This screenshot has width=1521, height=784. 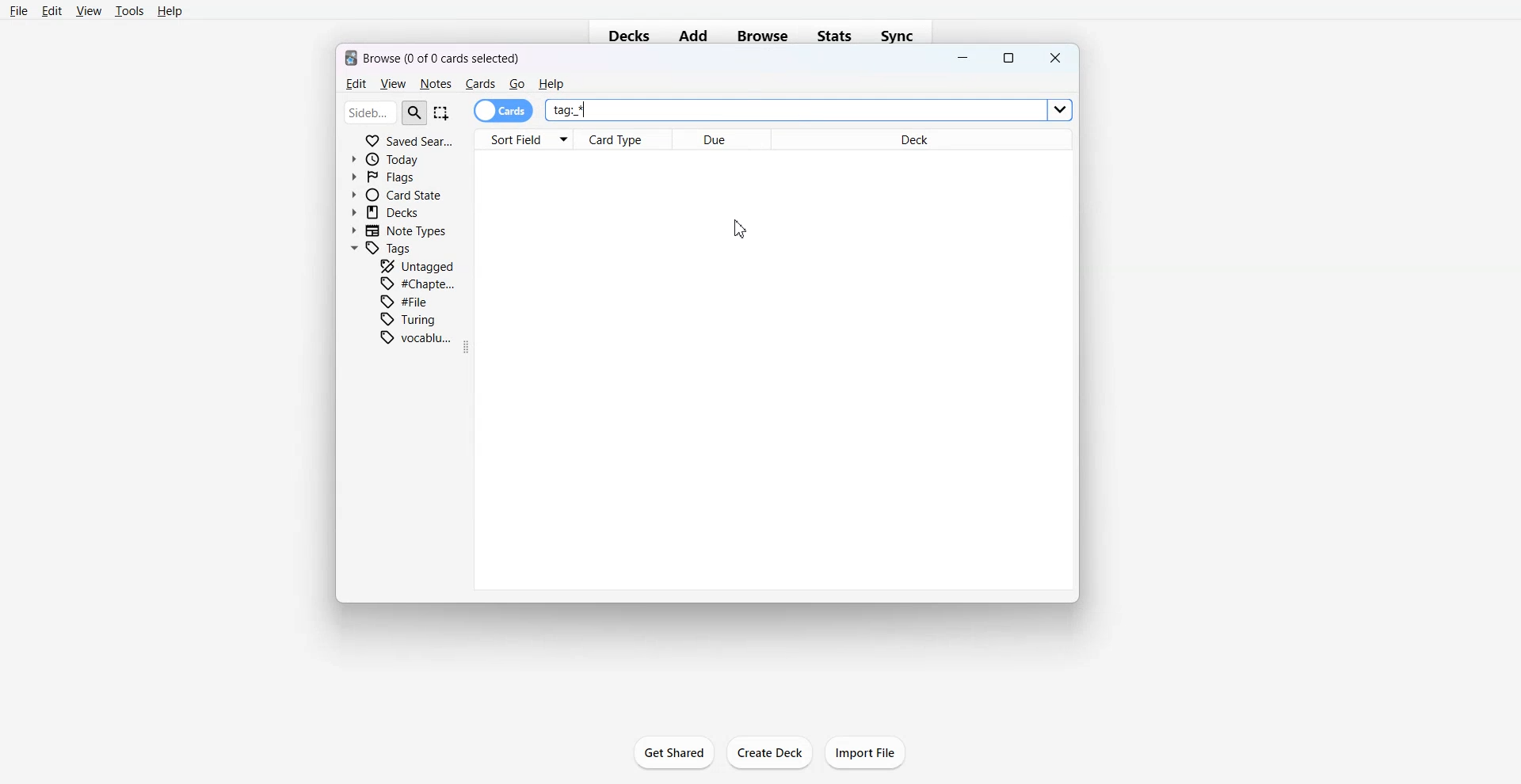 What do you see at coordinates (129, 11) in the screenshot?
I see `Tools` at bounding box center [129, 11].